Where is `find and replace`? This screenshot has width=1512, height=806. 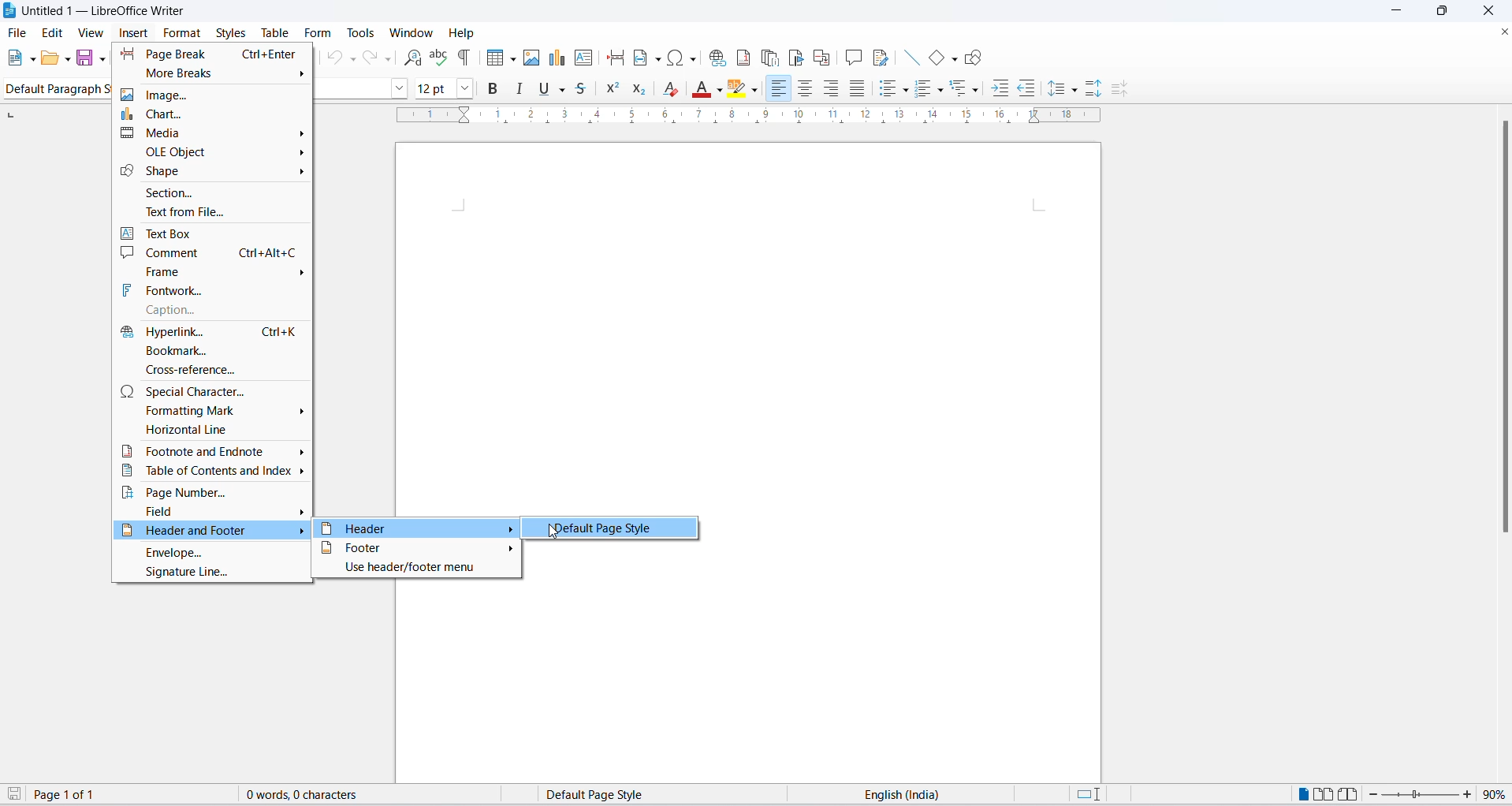
find and replace is located at coordinates (410, 58).